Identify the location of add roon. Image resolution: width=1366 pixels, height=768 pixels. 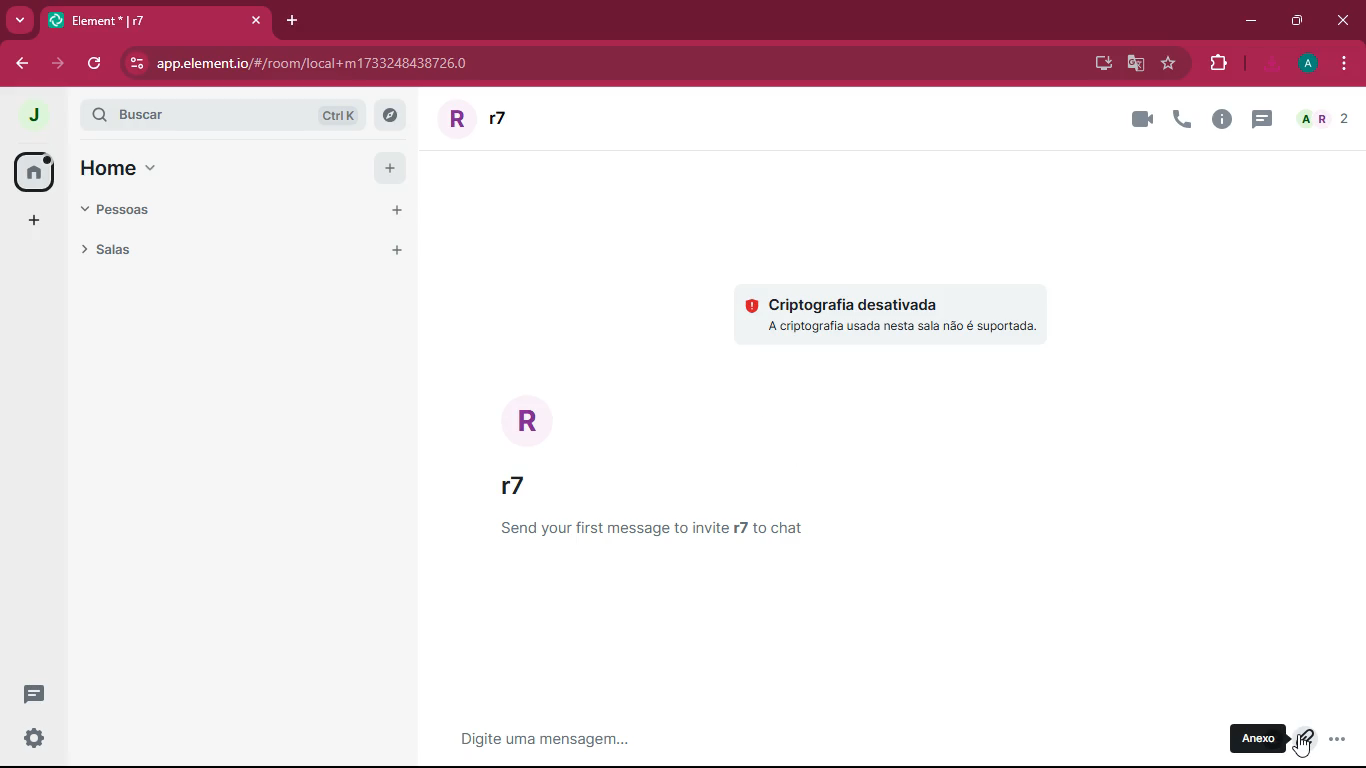
(393, 252).